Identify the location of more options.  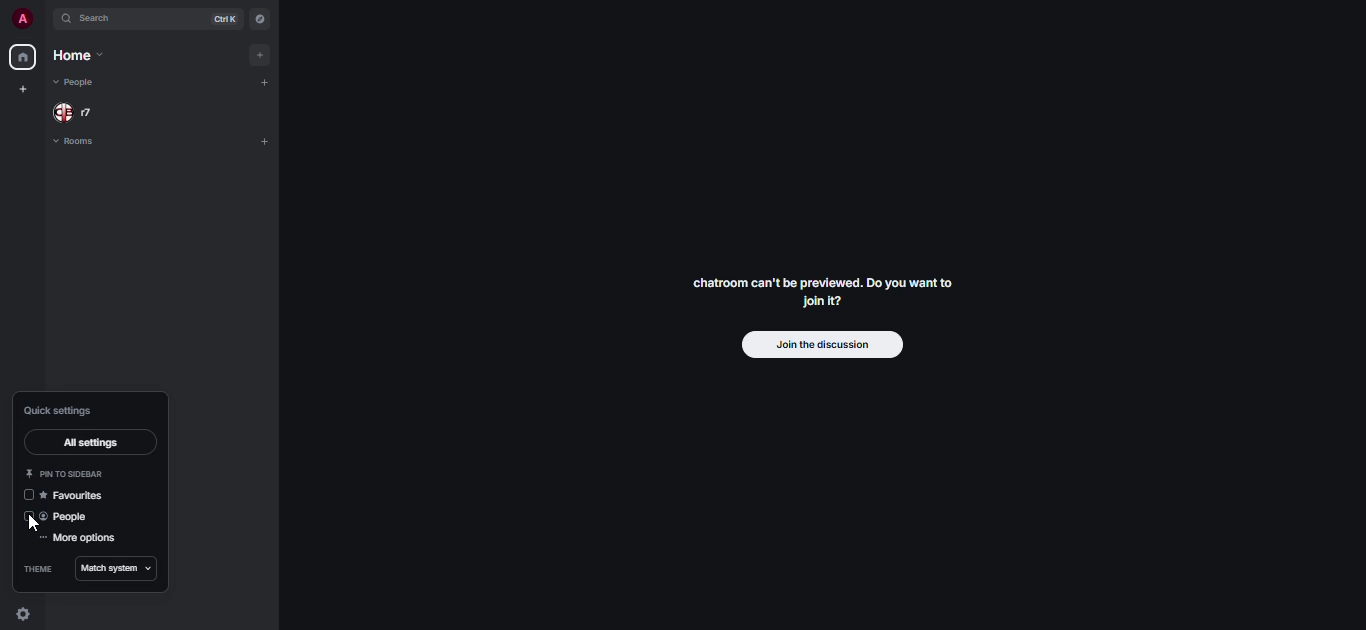
(79, 539).